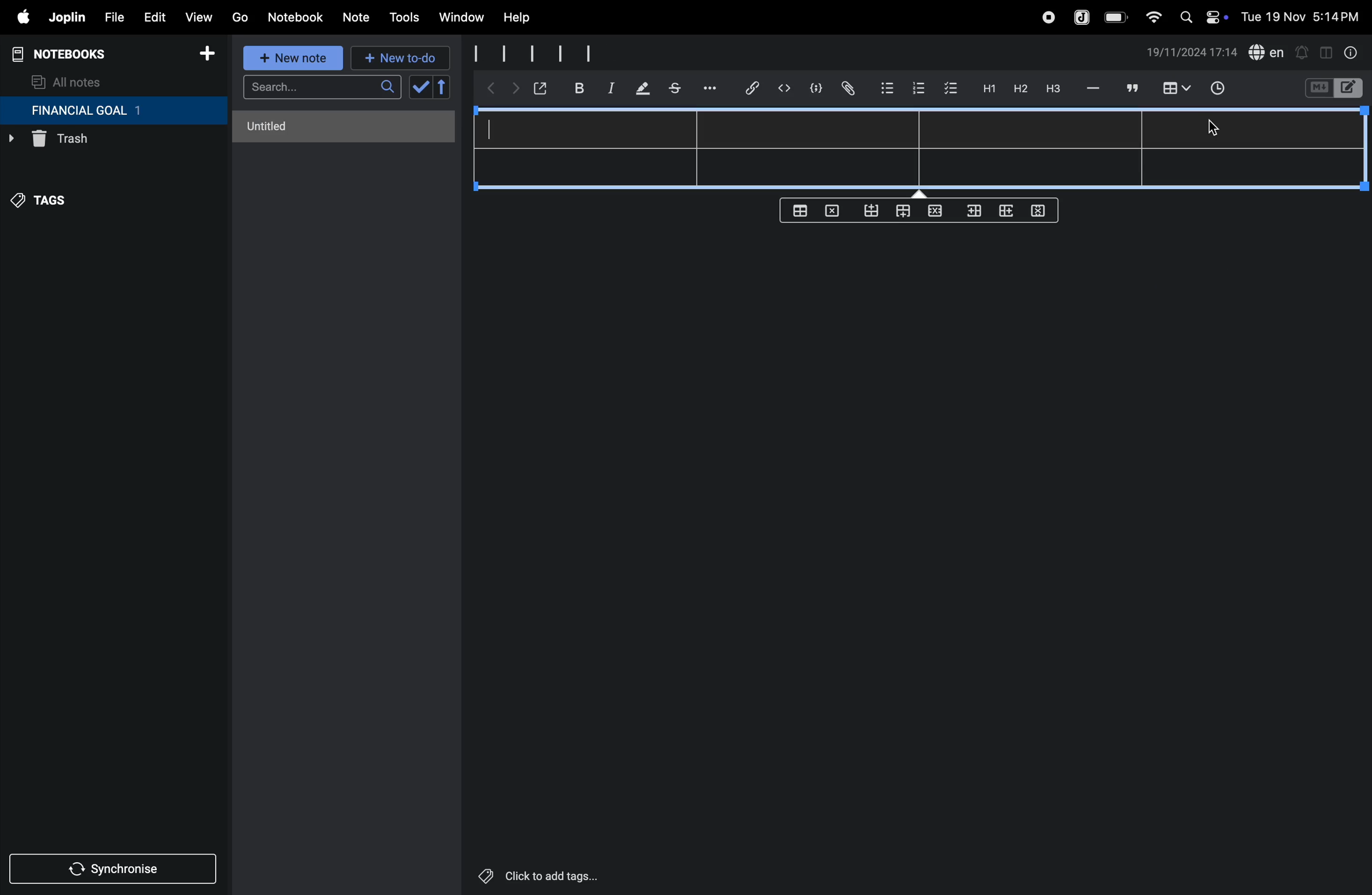 The width and height of the screenshot is (1372, 895). What do you see at coordinates (1019, 88) in the screenshot?
I see `h2` at bounding box center [1019, 88].